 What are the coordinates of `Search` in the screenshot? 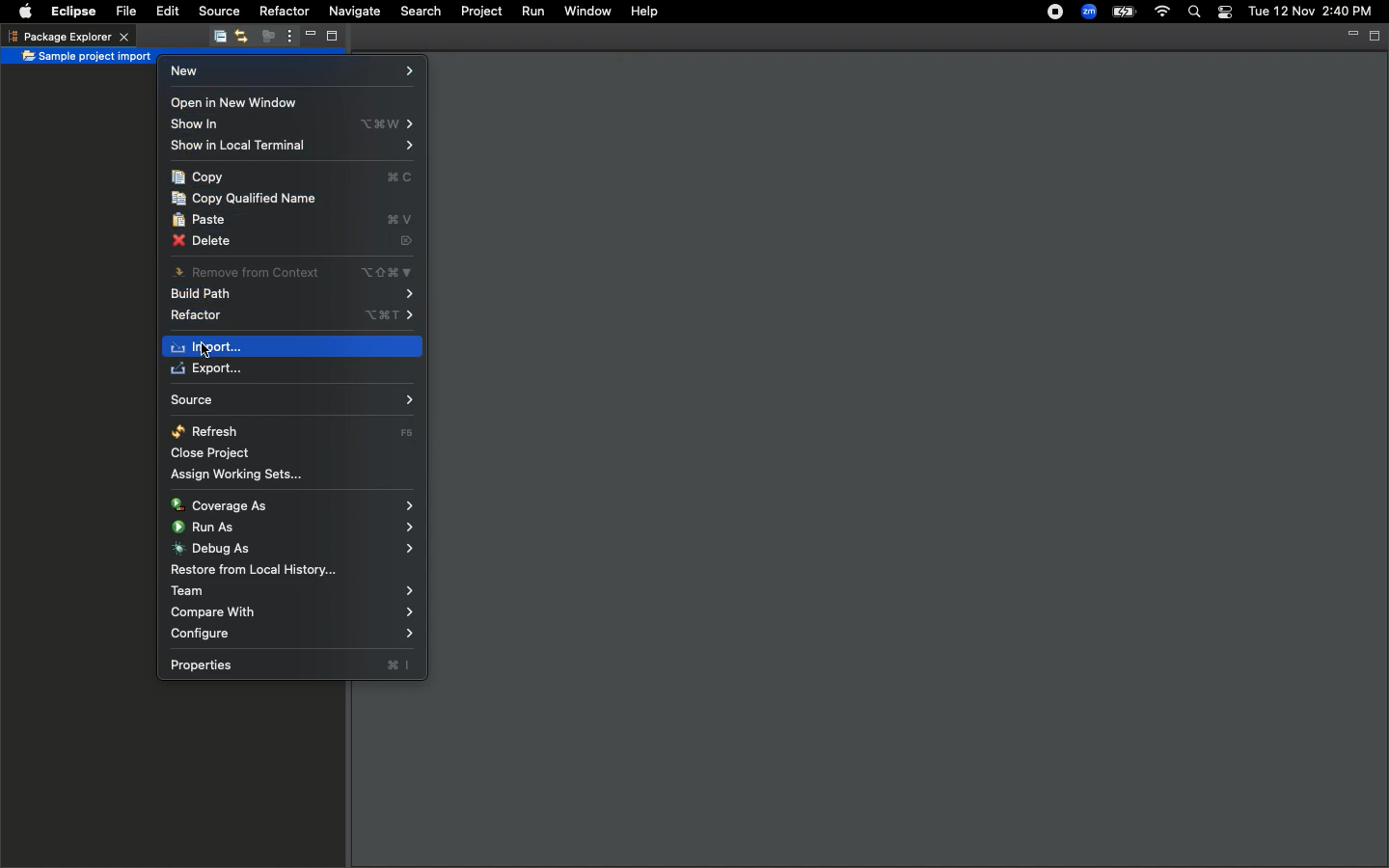 It's located at (419, 12).